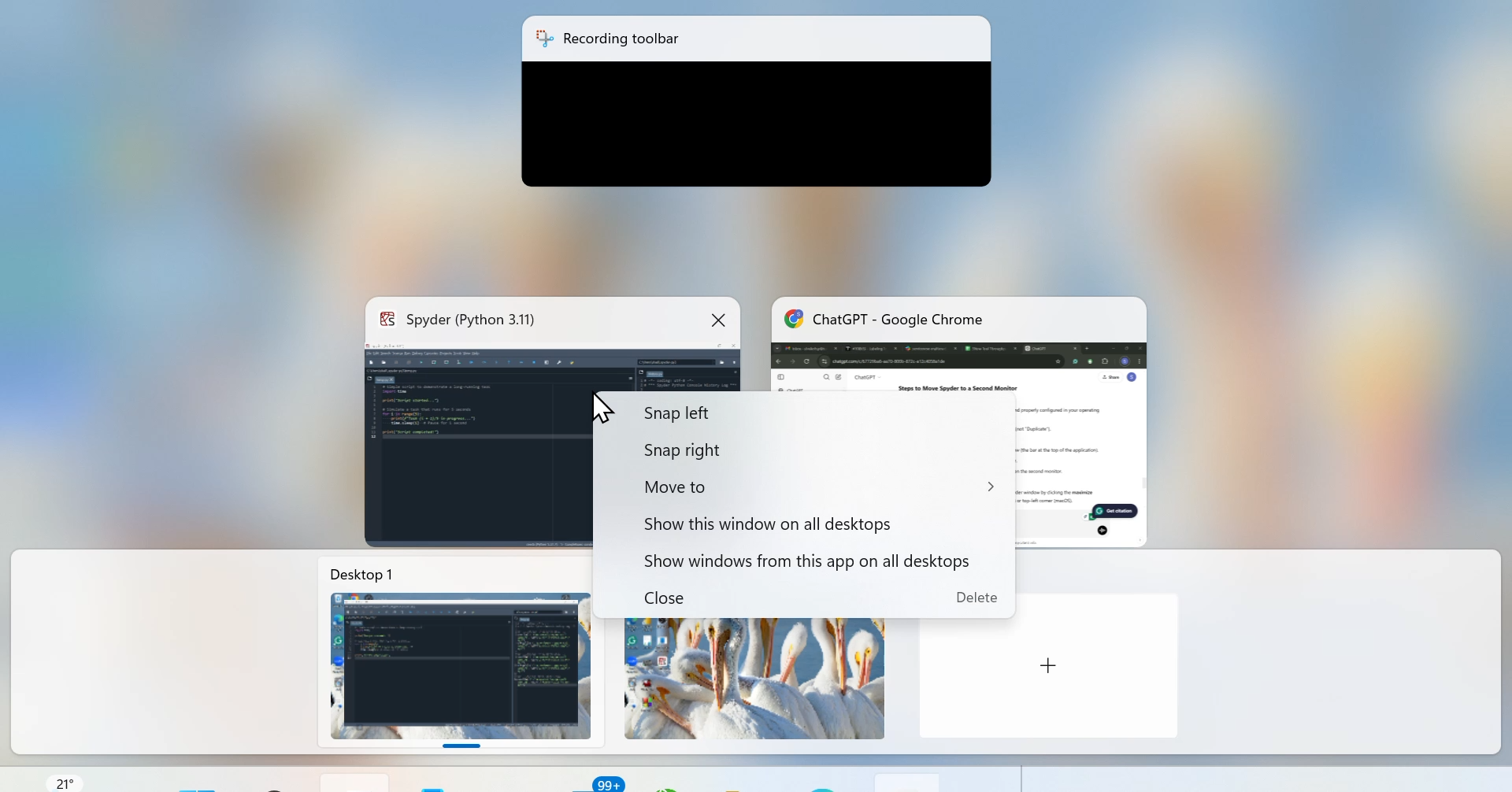 This screenshot has height=792, width=1512. I want to click on Desktop 1, so click(361, 571).